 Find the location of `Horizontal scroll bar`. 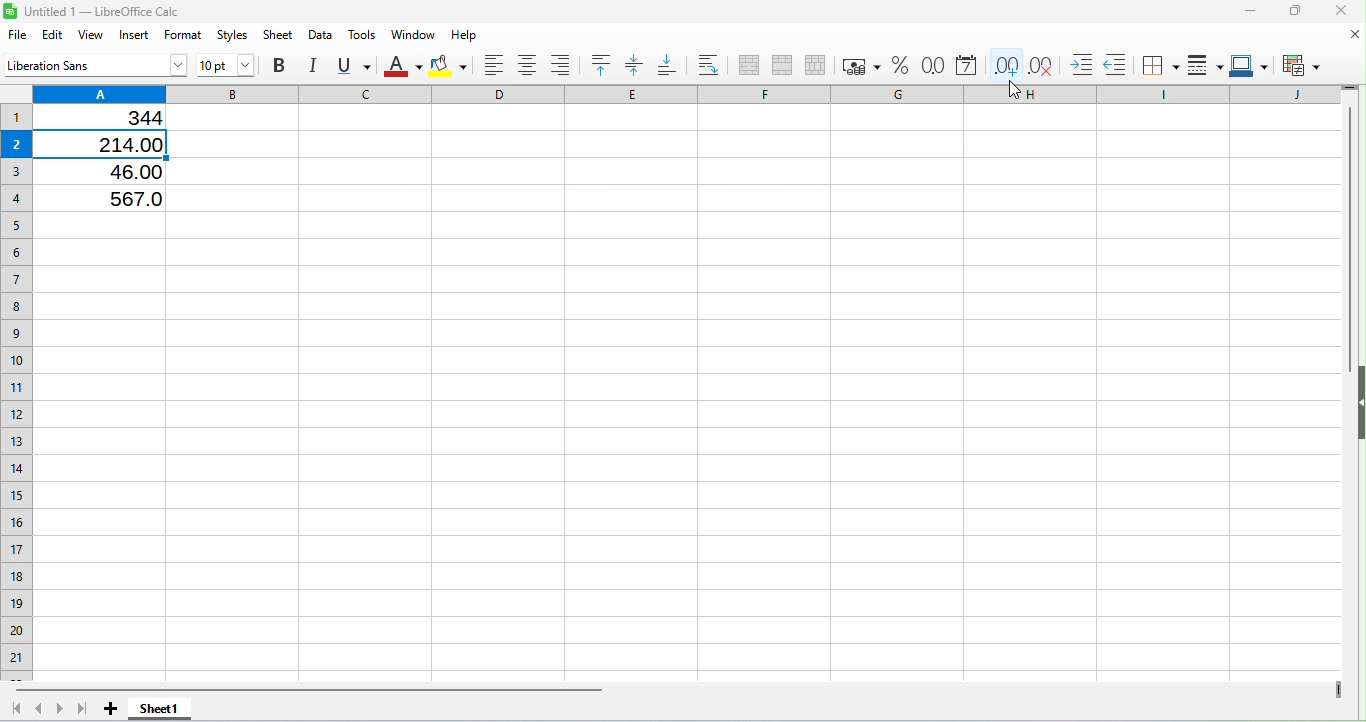

Horizontal scroll bar is located at coordinates (673, 689).